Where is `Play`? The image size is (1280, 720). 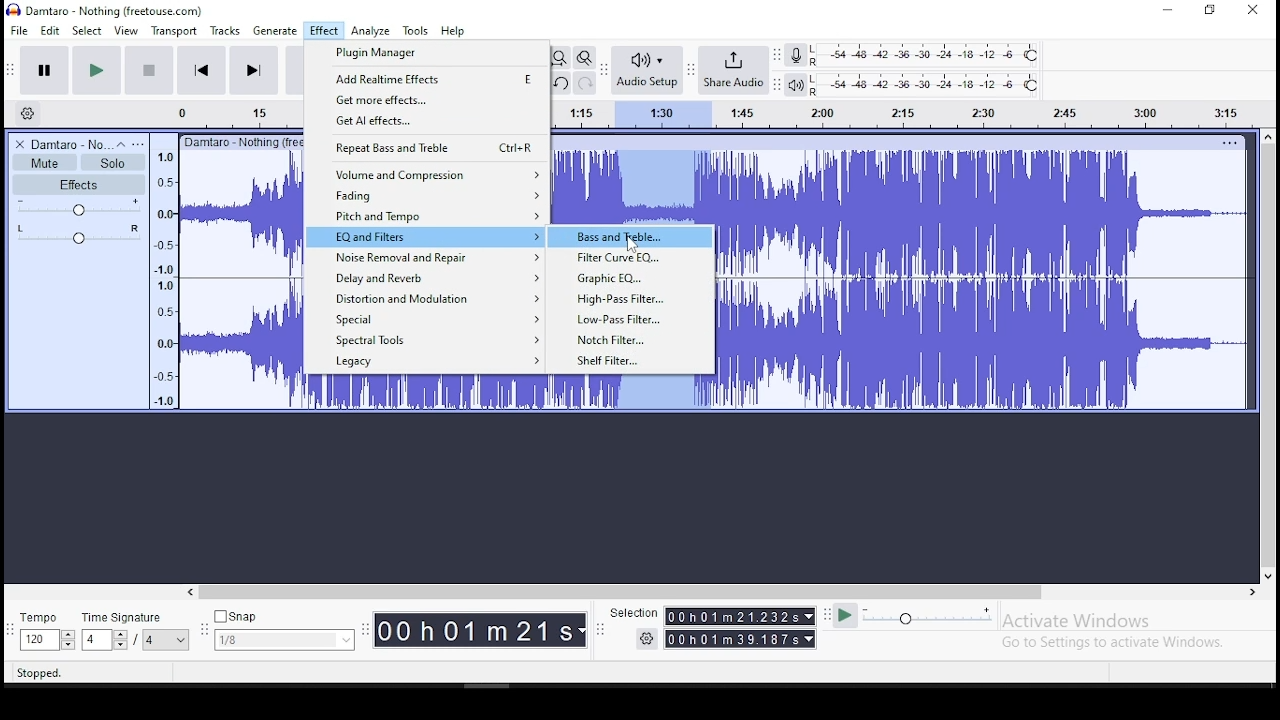 Play is located at coordinates (845, 616).